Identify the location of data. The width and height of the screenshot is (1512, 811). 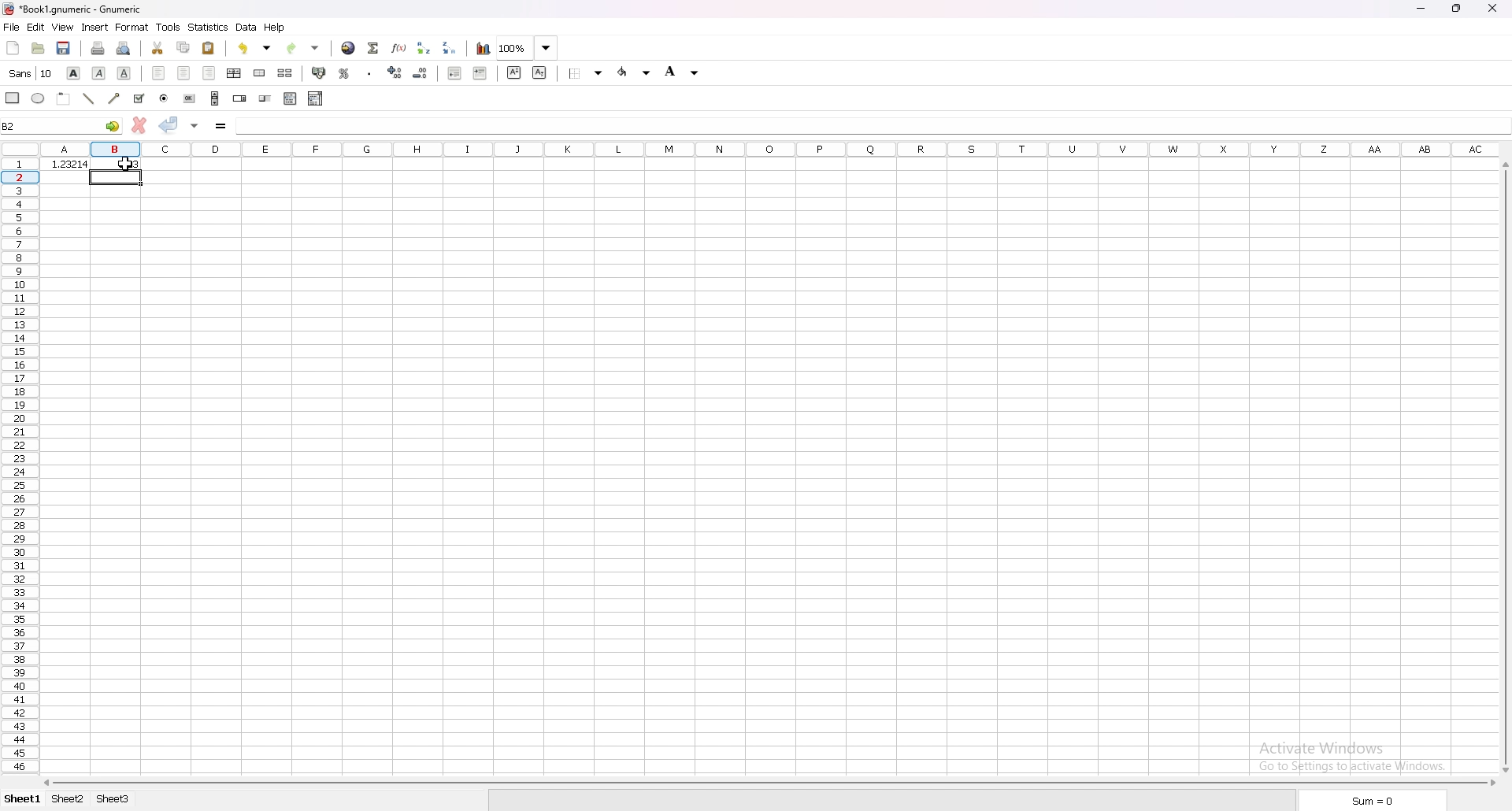
(246, 28).